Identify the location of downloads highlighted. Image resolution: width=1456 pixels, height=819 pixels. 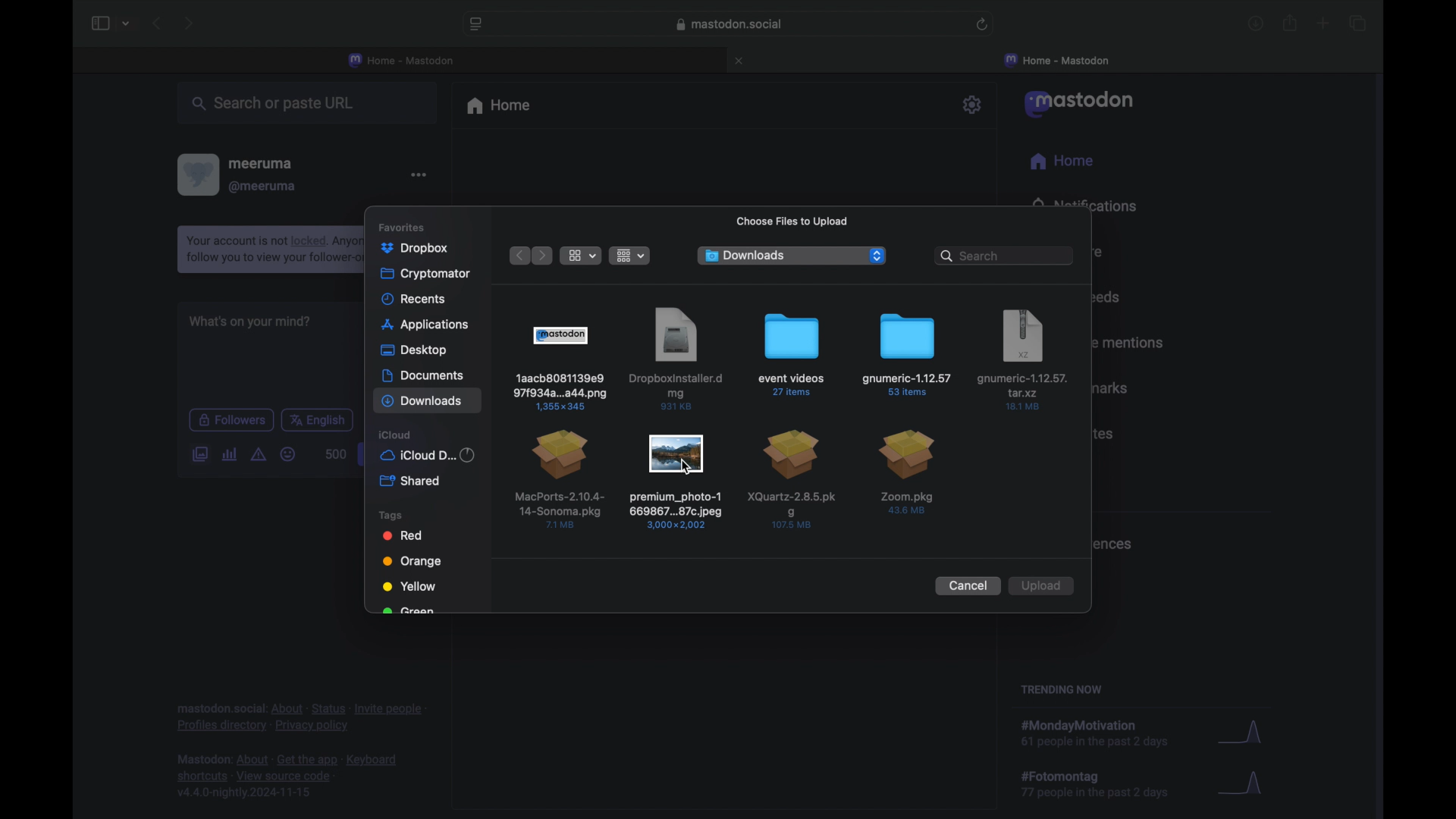
(426, 402).